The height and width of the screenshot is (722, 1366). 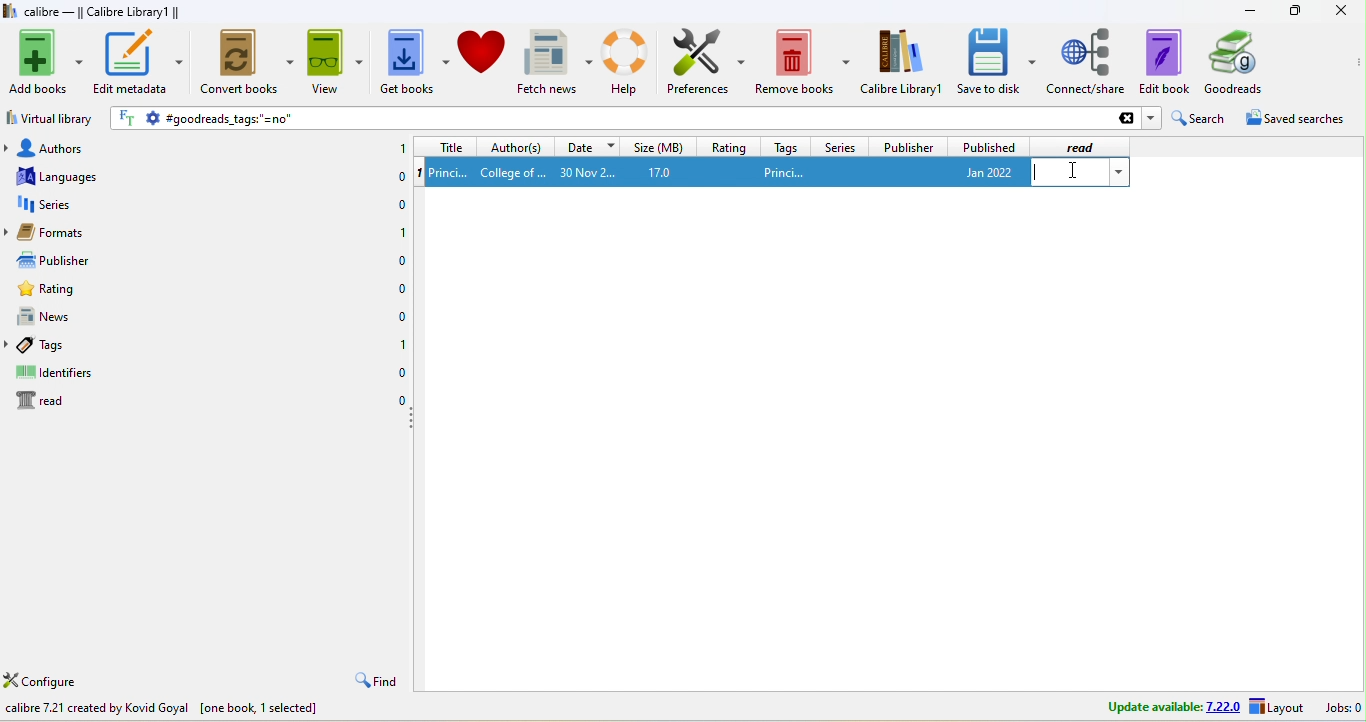 What do you see at coordinates (450, 172) in the screenshot?
I see `1 princi  ` at bounding box center [450, 172].